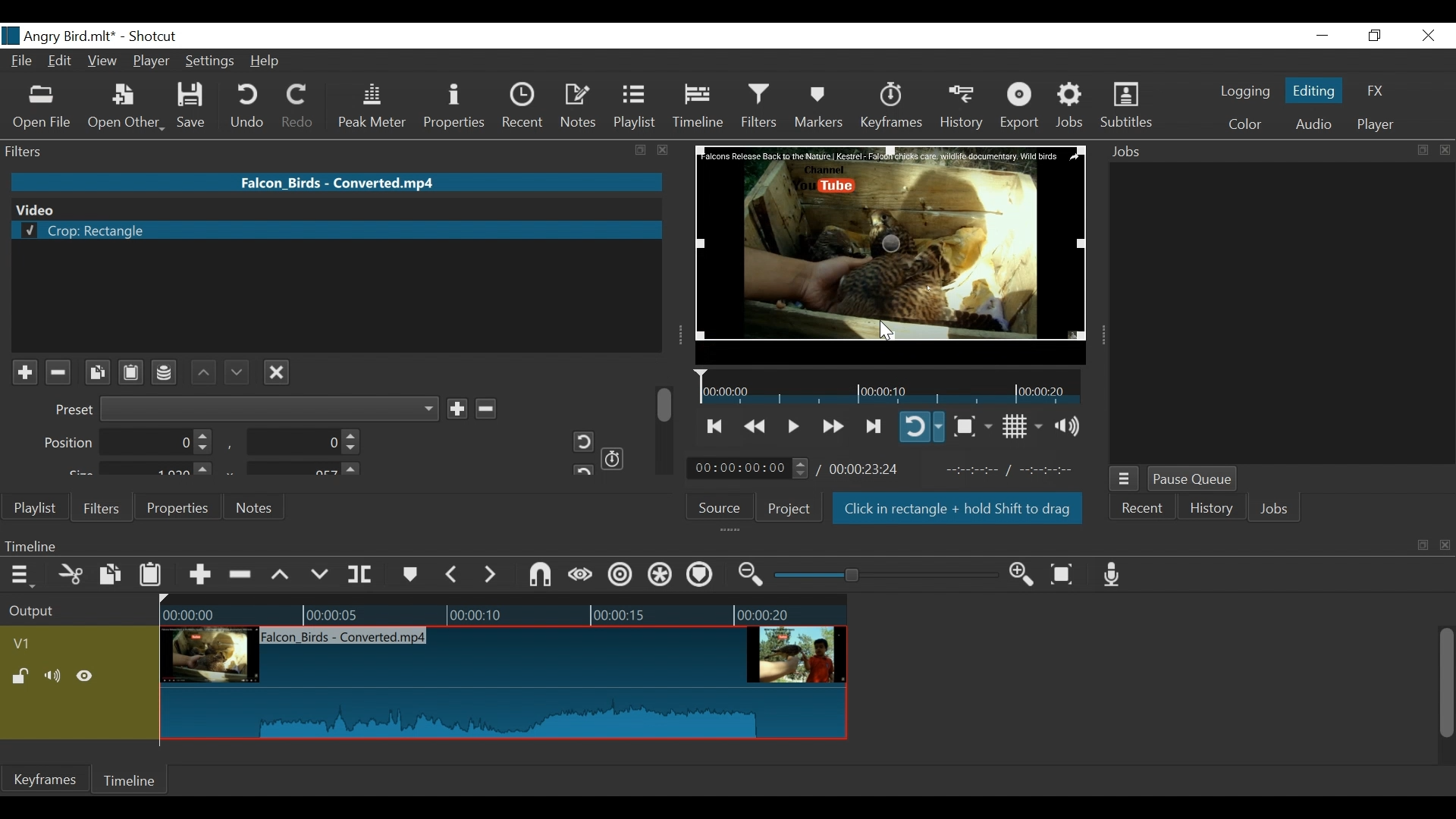 The image size is (1456, 819). Describe the element at coordinates (1015, 470) in the screenshot. I see `In point` at that location.